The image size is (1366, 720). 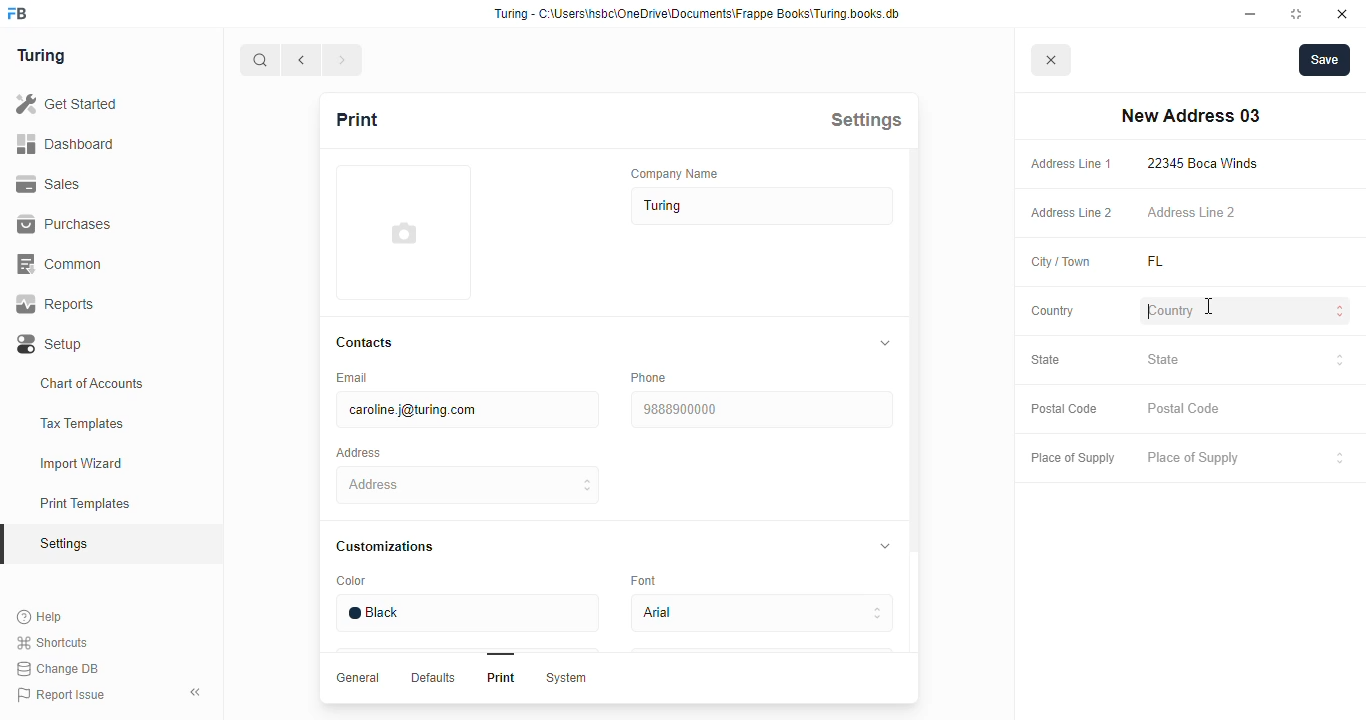 I want to click on address, so click(x=358, y=453).